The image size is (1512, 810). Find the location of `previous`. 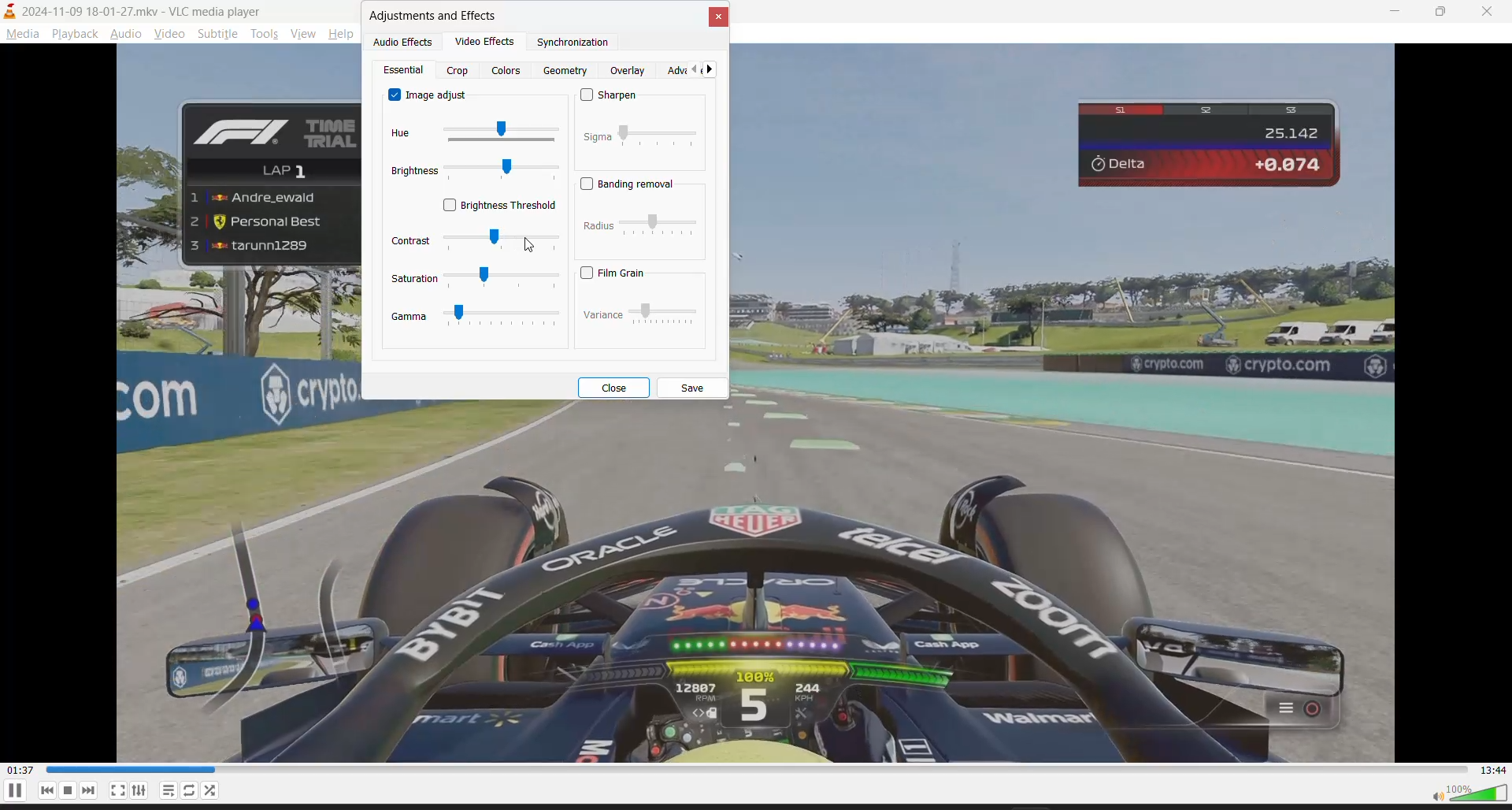

previous is located at coordinates (693, 69).